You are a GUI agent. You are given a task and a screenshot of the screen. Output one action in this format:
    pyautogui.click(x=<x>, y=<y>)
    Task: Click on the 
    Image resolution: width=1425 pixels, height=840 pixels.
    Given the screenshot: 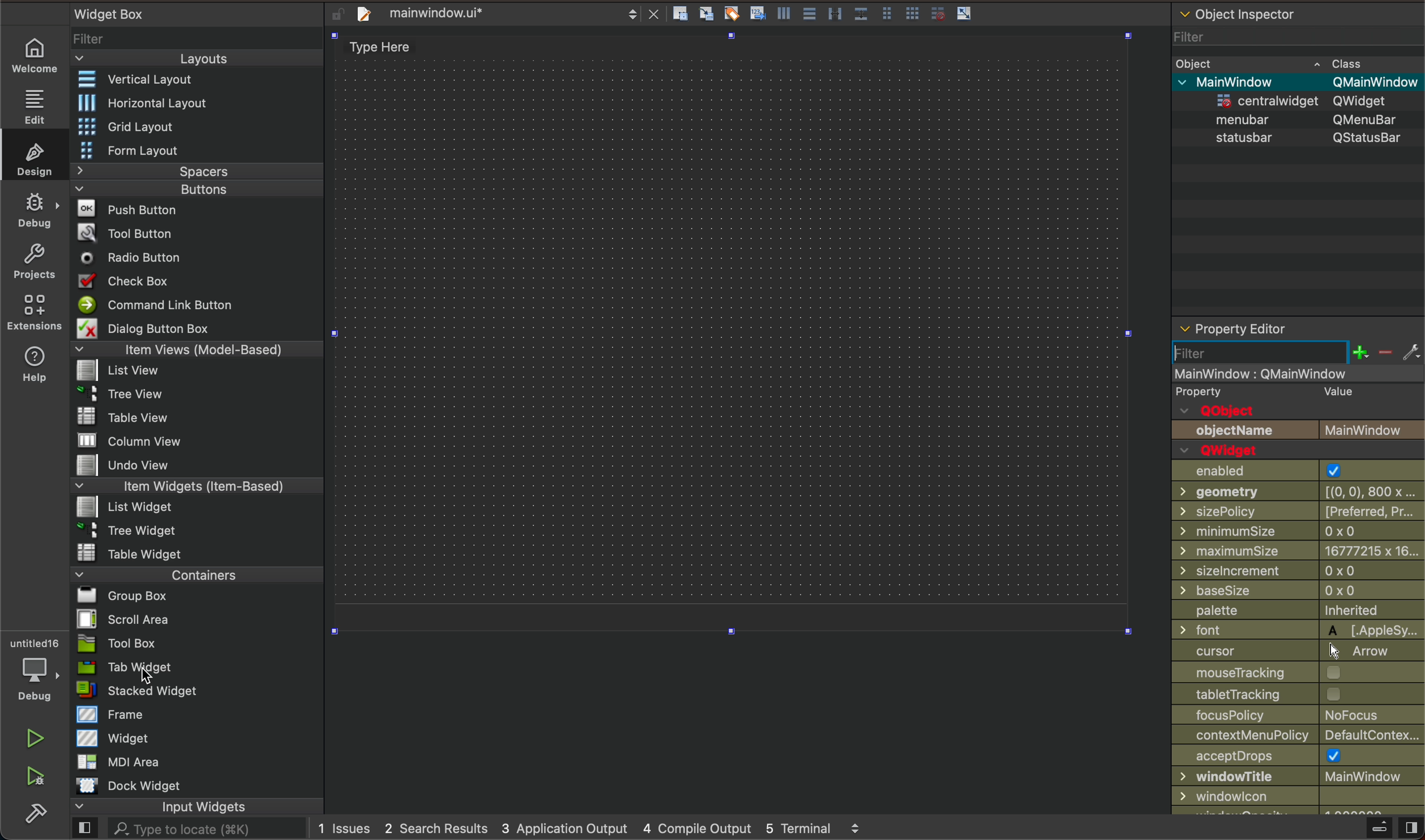 What is the action you would take?
    pyautogui.click(x=1301, y=796)
    